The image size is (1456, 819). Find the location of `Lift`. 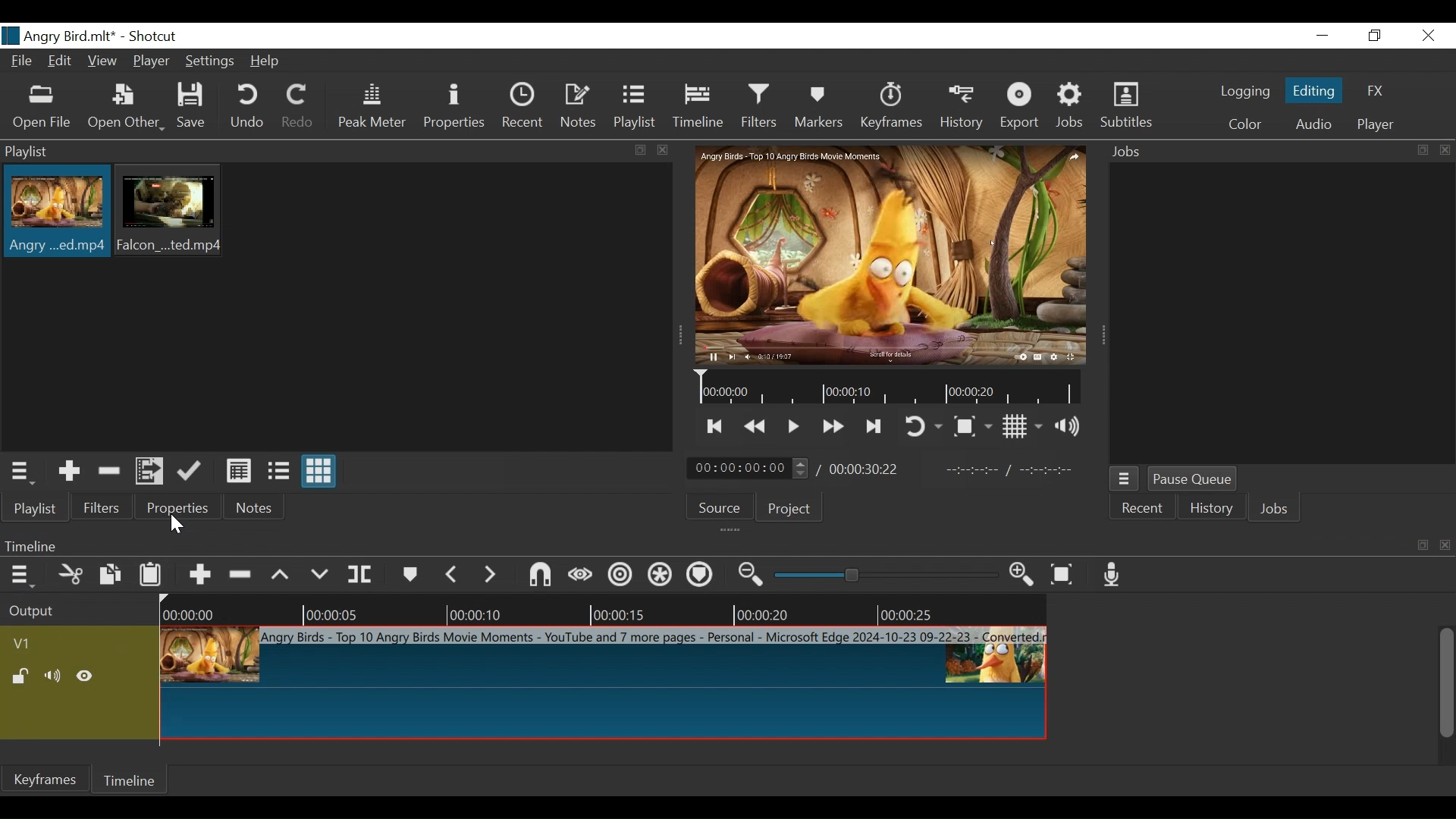

Lift is located at coordinates (284, 575).